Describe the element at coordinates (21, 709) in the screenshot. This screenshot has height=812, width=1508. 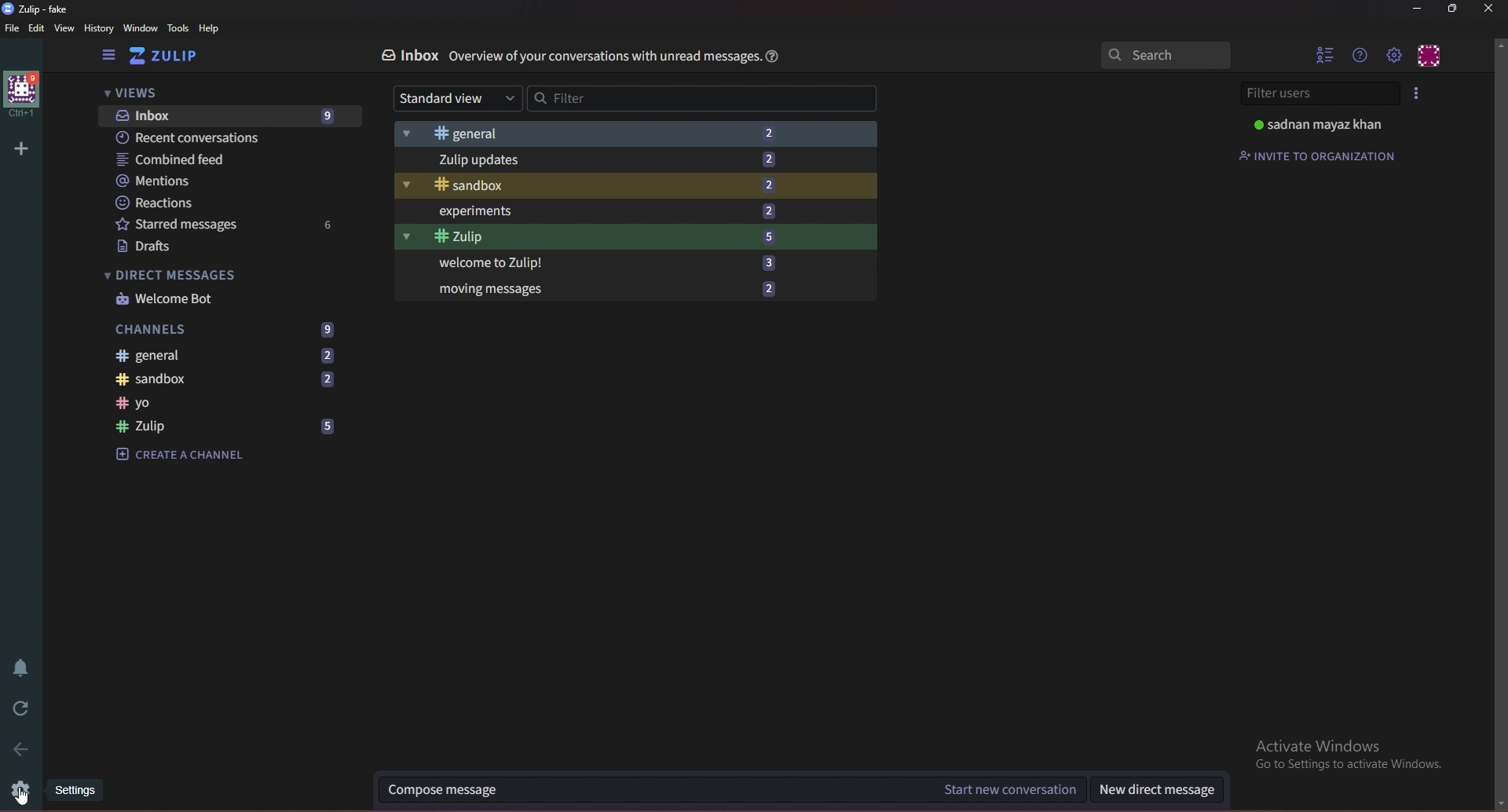
I see `Reload` at that location.